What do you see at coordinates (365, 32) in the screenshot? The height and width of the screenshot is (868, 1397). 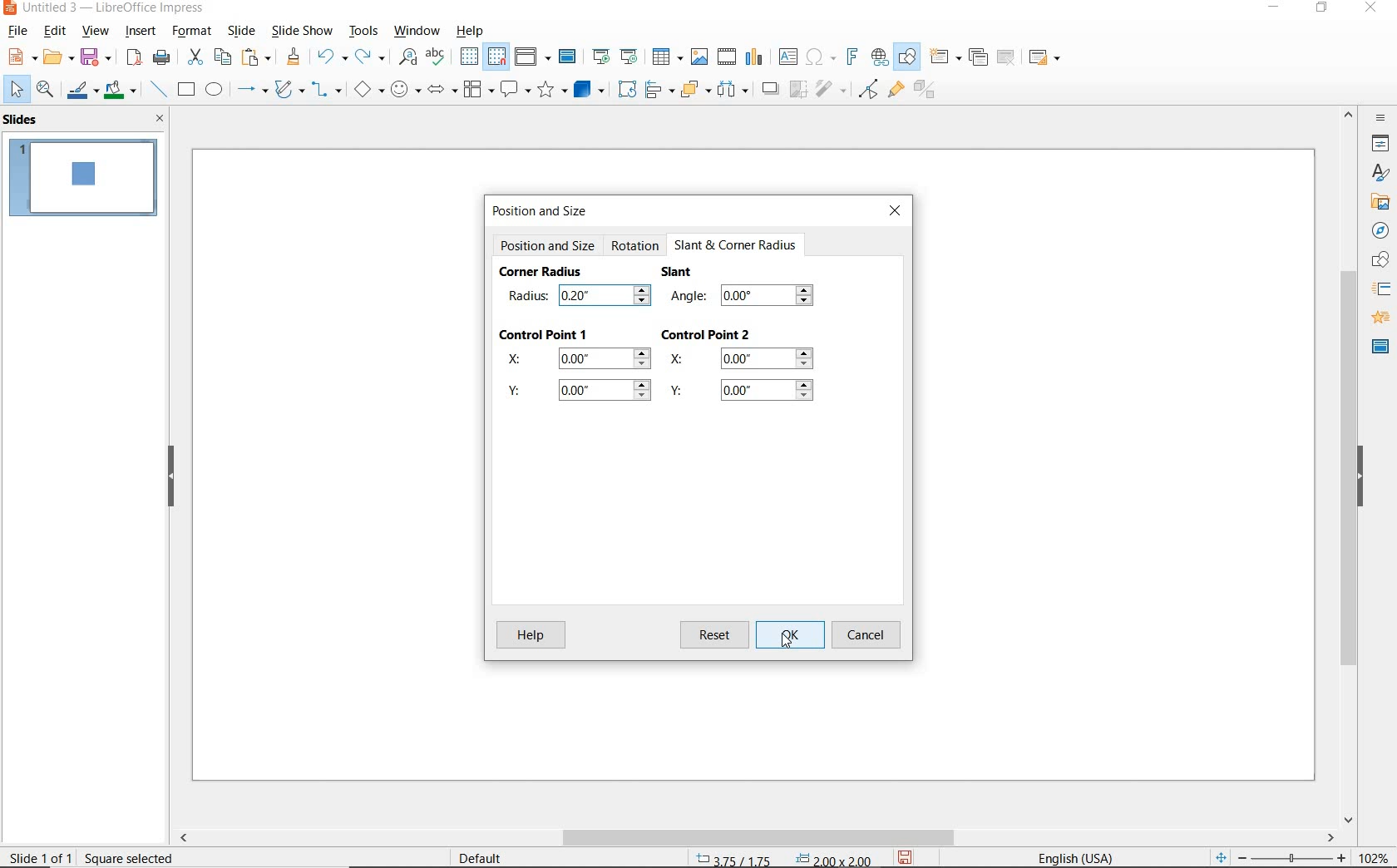 I see `tools` at bounding box center [365, 32].